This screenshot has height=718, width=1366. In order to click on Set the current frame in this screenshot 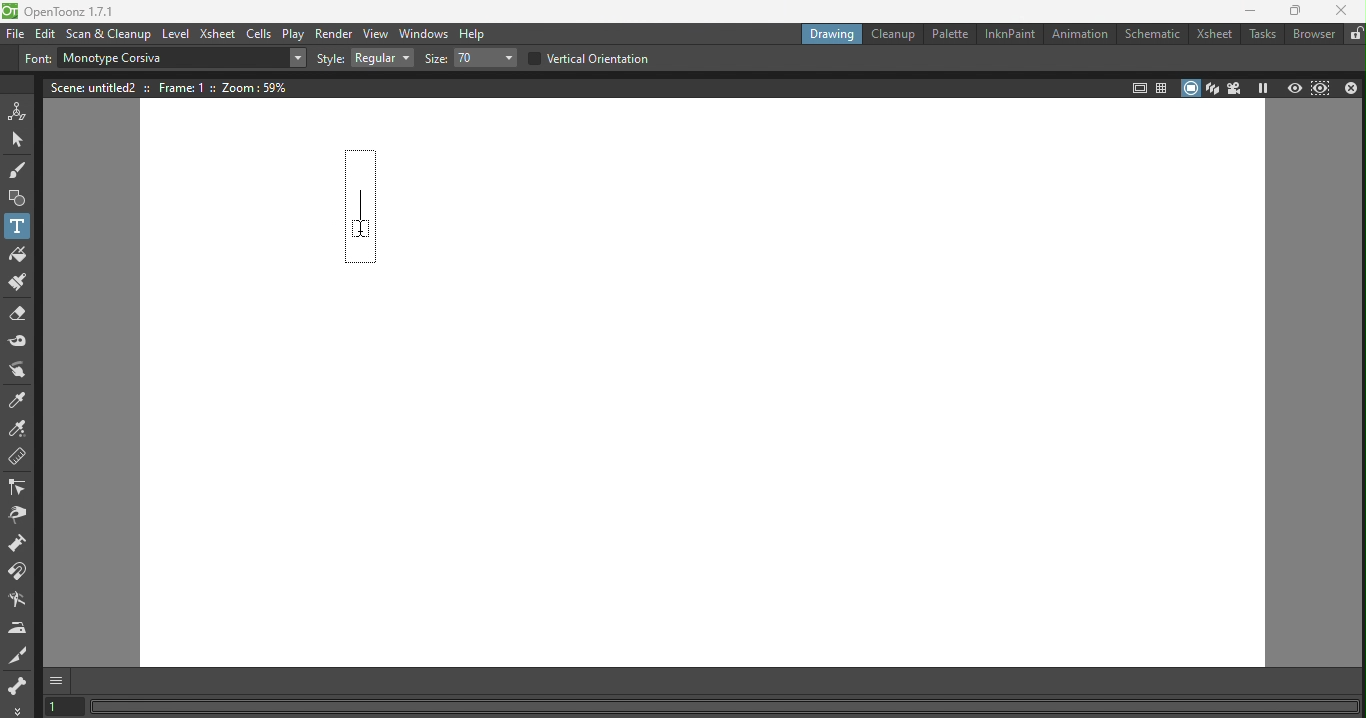, I will do `click(61, 706)`.